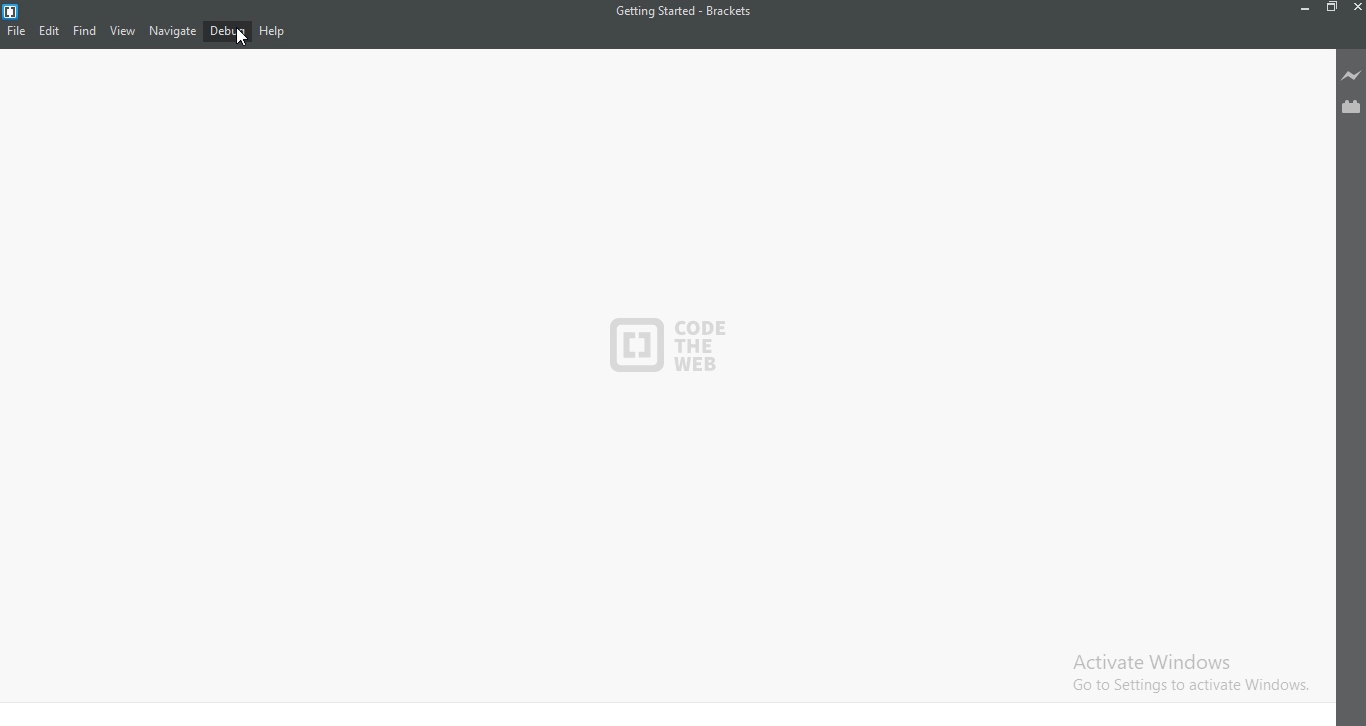 This screenshot has height=726, width=1366. Describe the element at coordinates (1301, 11) in the screenshot. I see `minimise` at that location.